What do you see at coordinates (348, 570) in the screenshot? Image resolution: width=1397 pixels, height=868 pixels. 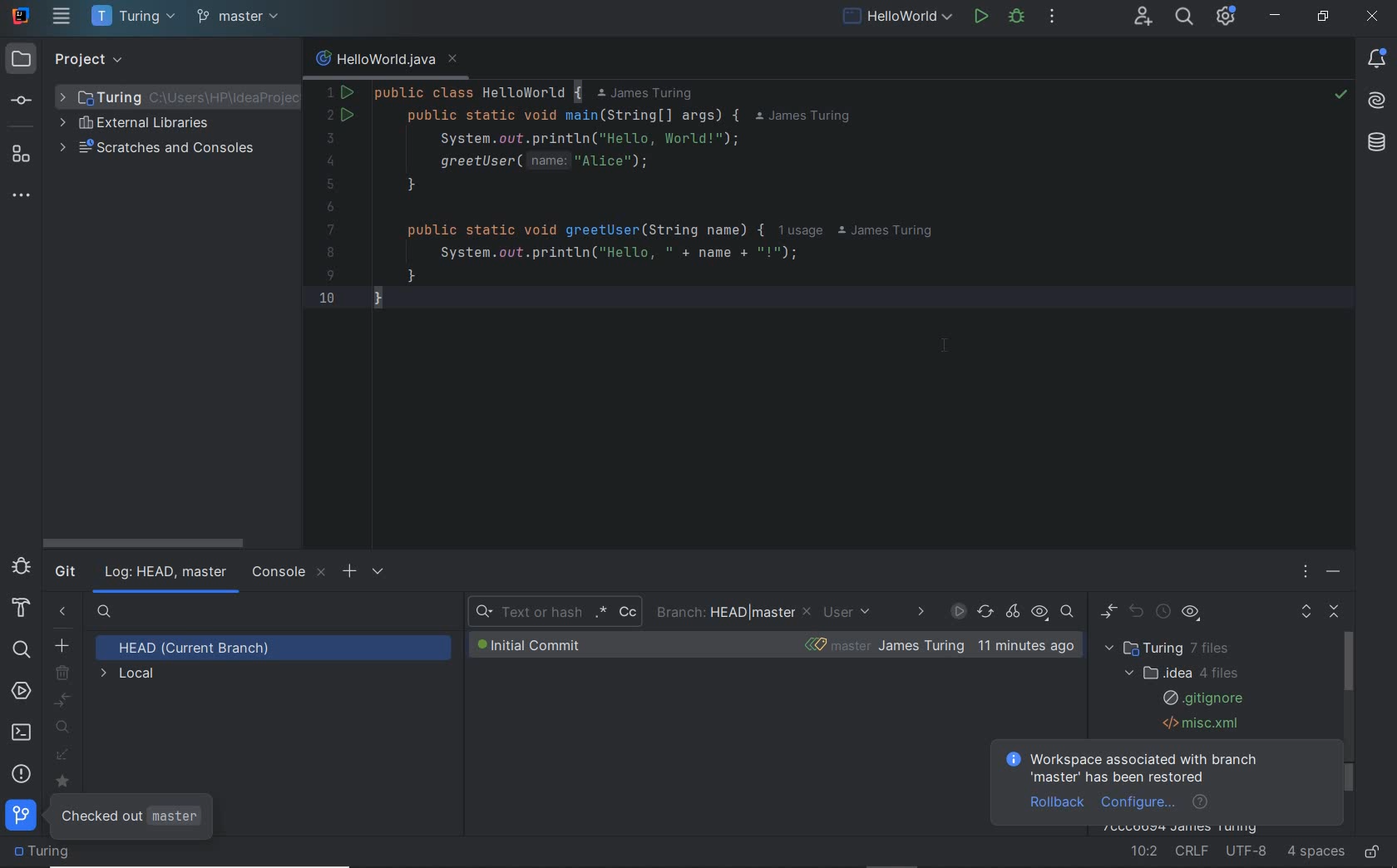 I see `OPEN NEW GIT LOG TAB` at bounding box center [348, 570].